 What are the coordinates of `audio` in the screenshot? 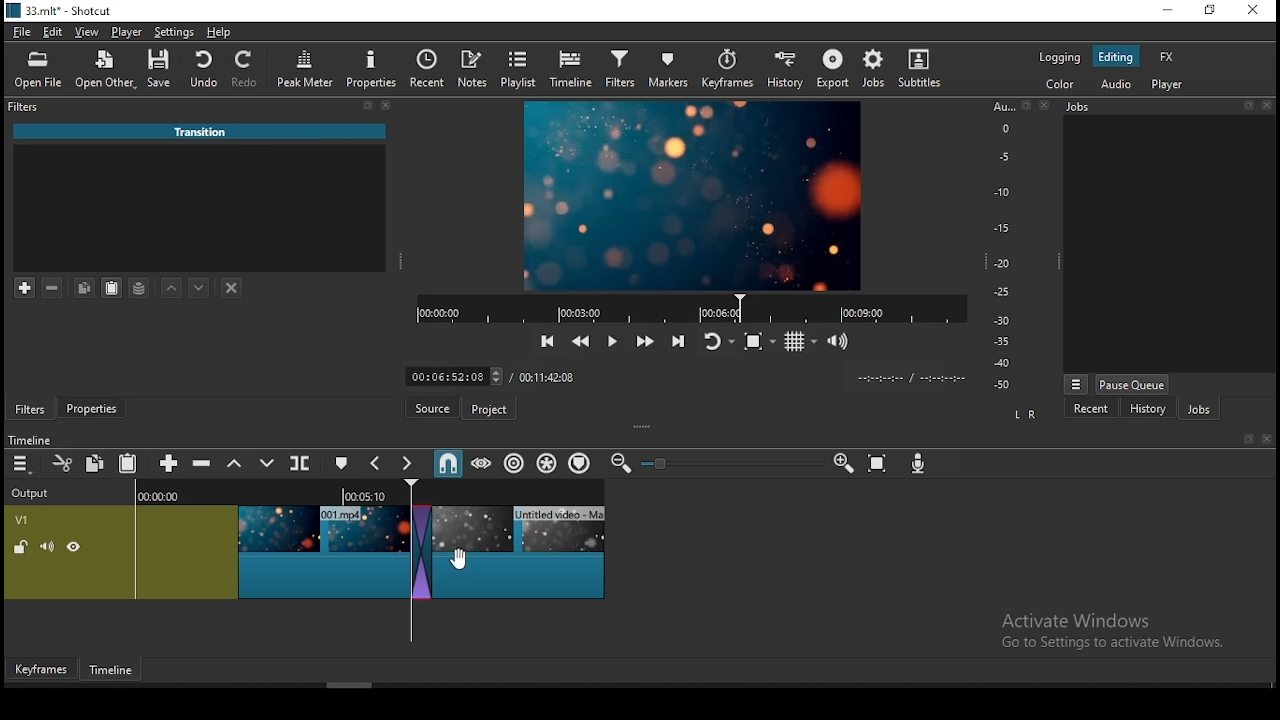 It's located at (1118, 84).